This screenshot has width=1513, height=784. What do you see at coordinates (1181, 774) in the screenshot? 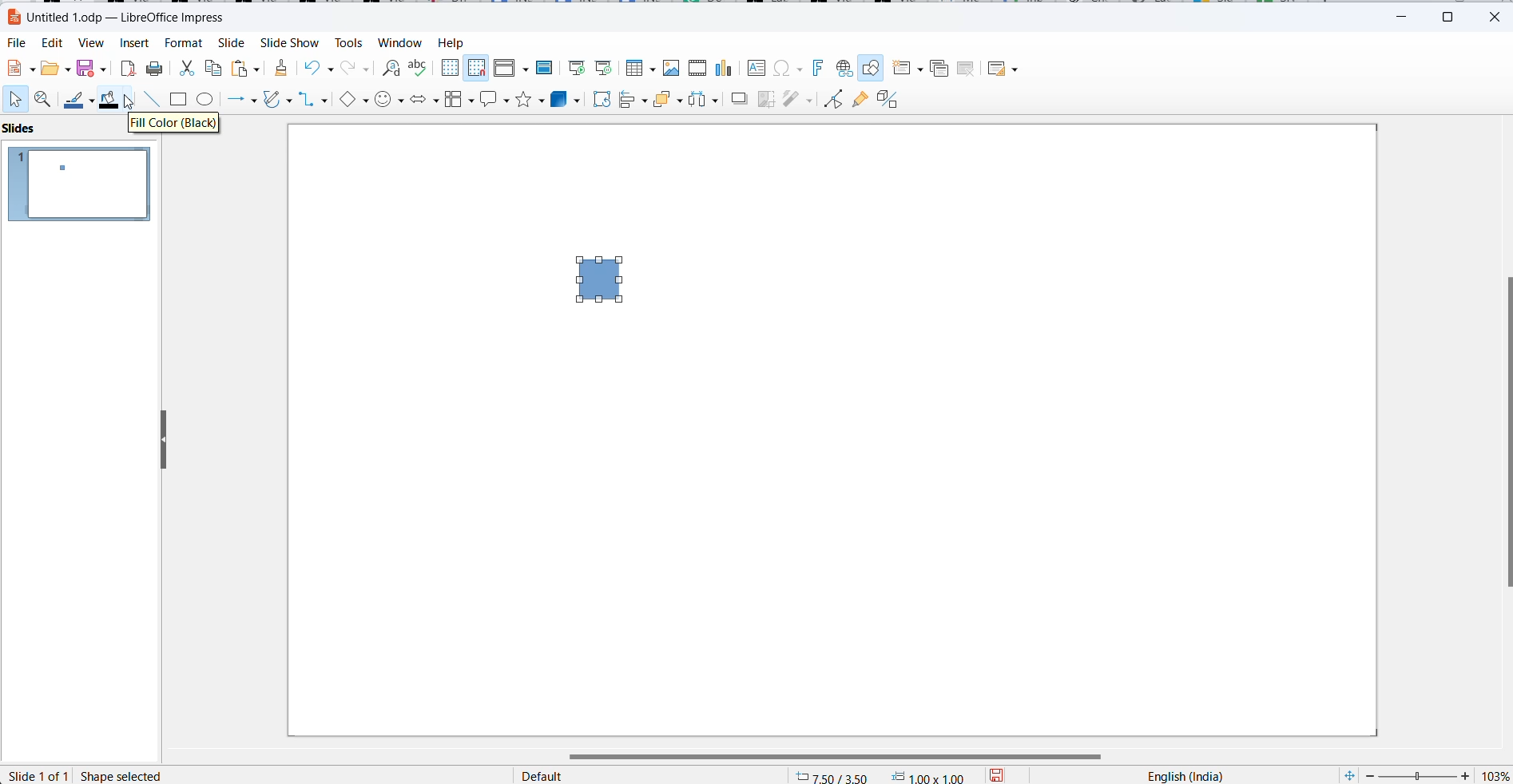
I see `text language` at bounding box center [1181, 774].